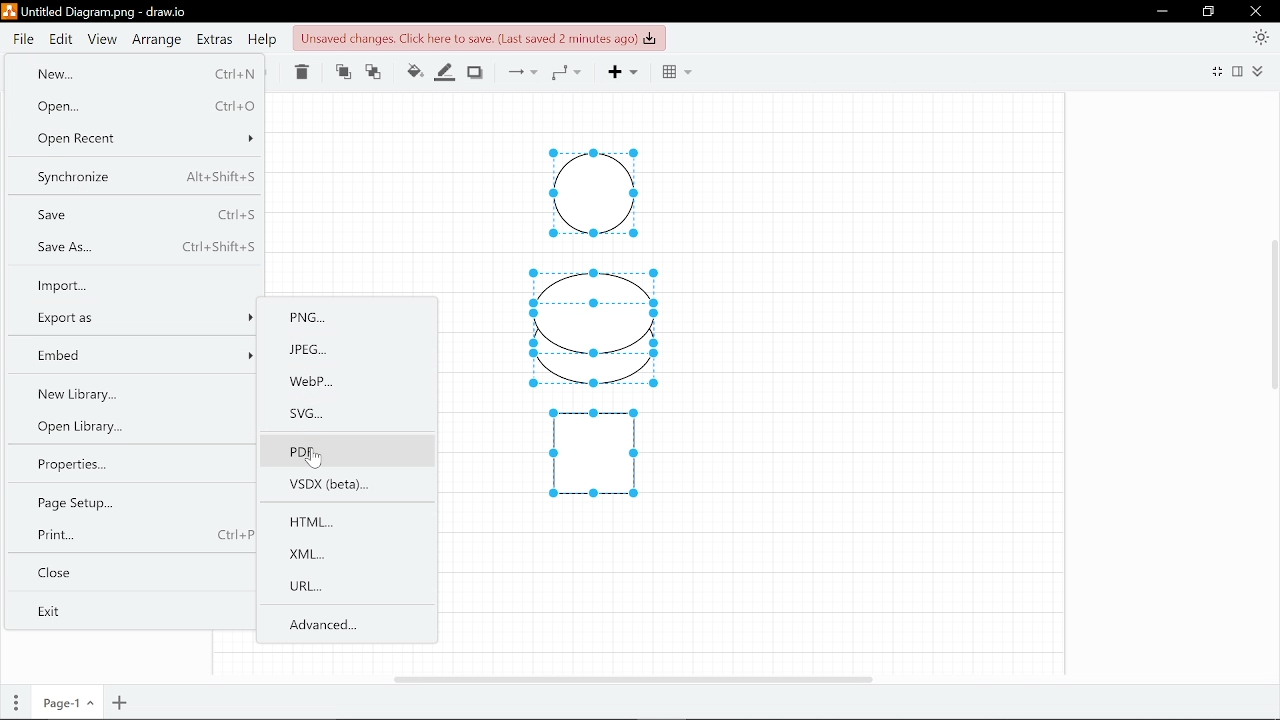 The height and width of the screenshot is (720, 1280). Describe the element at coordinates (345, 351) in the screenshot. I see `JPEG` at that location.